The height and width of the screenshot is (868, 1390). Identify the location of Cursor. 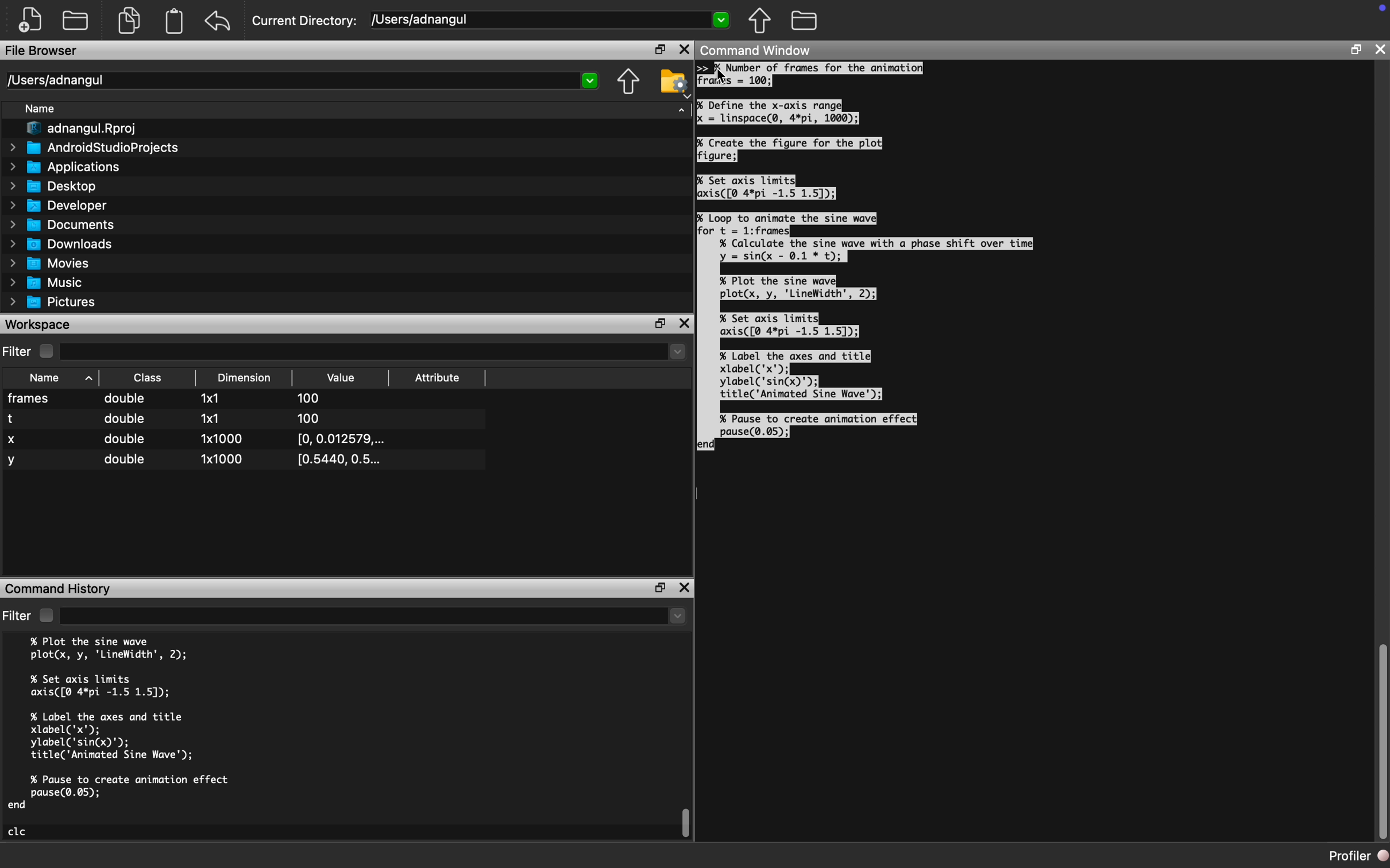
(731, 75).